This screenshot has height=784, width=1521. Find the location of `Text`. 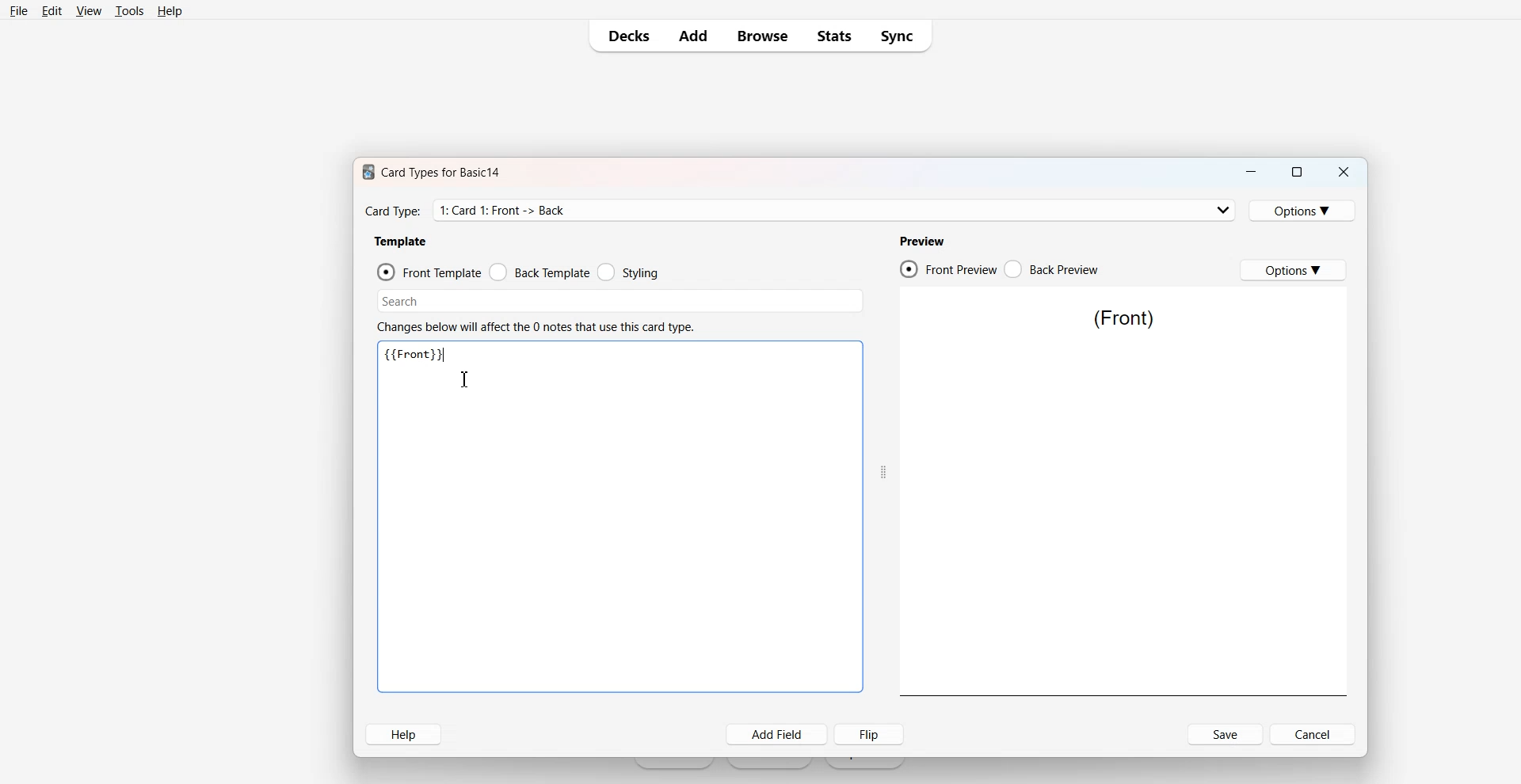

Text is located at coordinates (1126, 318).